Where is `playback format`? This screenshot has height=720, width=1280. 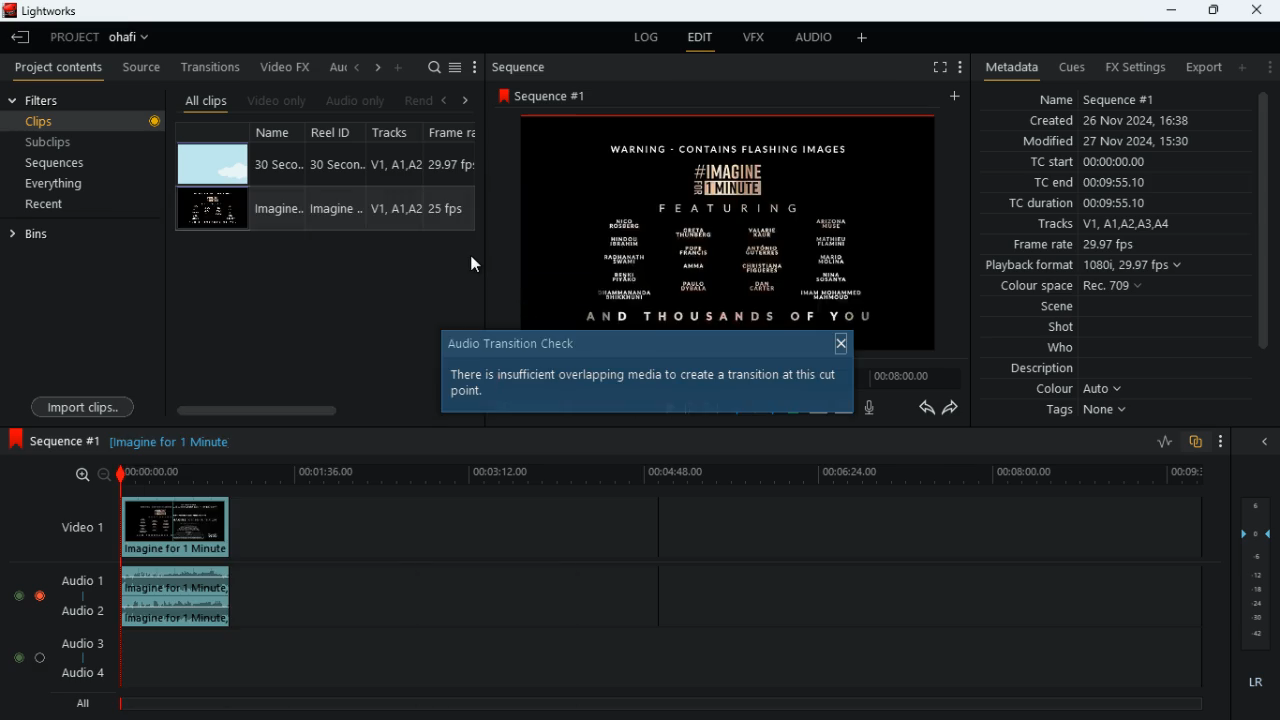 playback format is located at coordinates (1090, 267).